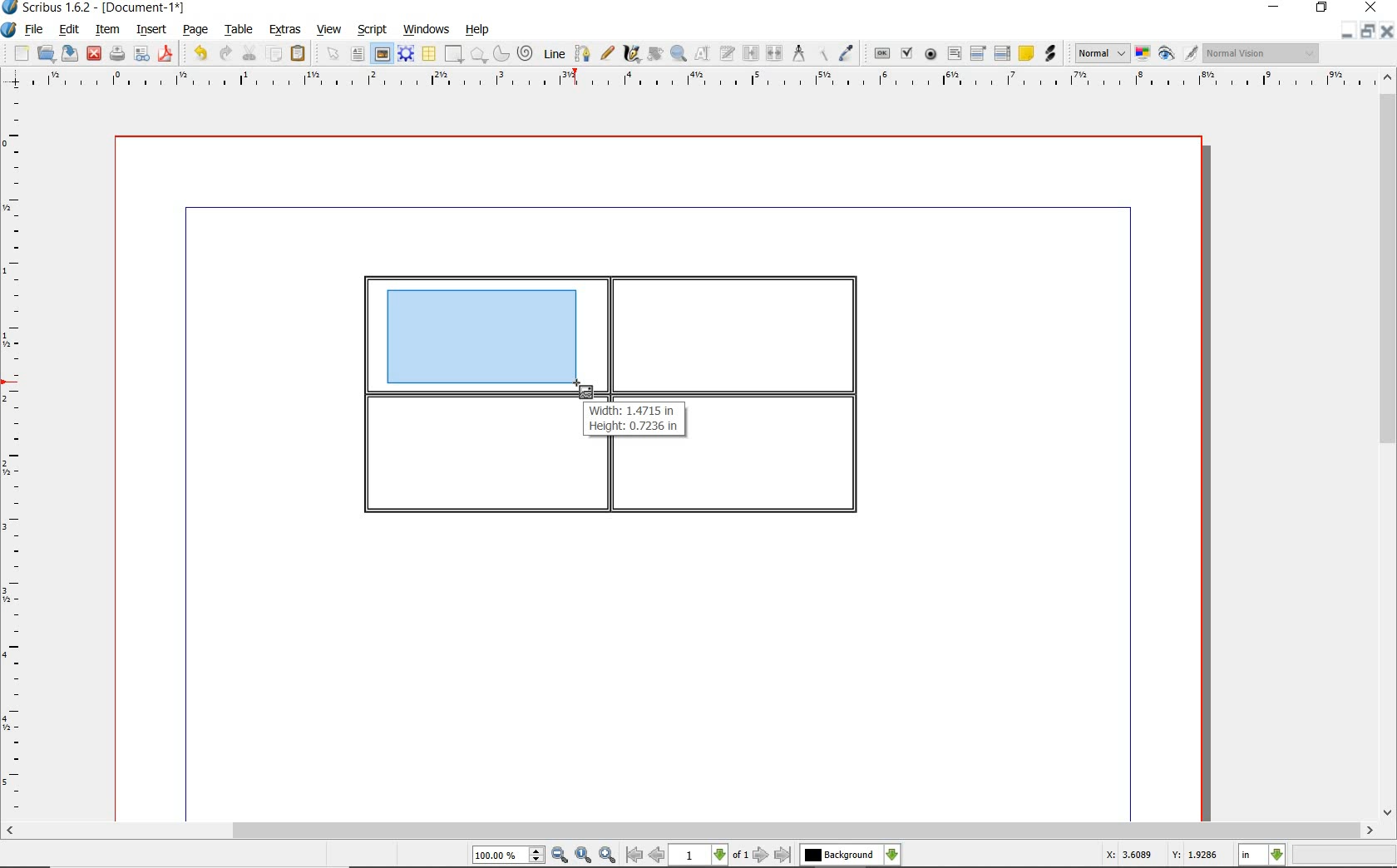 The image size is (1397, 868). What do you see at coordinates (847, 53) in the screenshot?
I see `eye dropper` at bounding box center [847, 53].